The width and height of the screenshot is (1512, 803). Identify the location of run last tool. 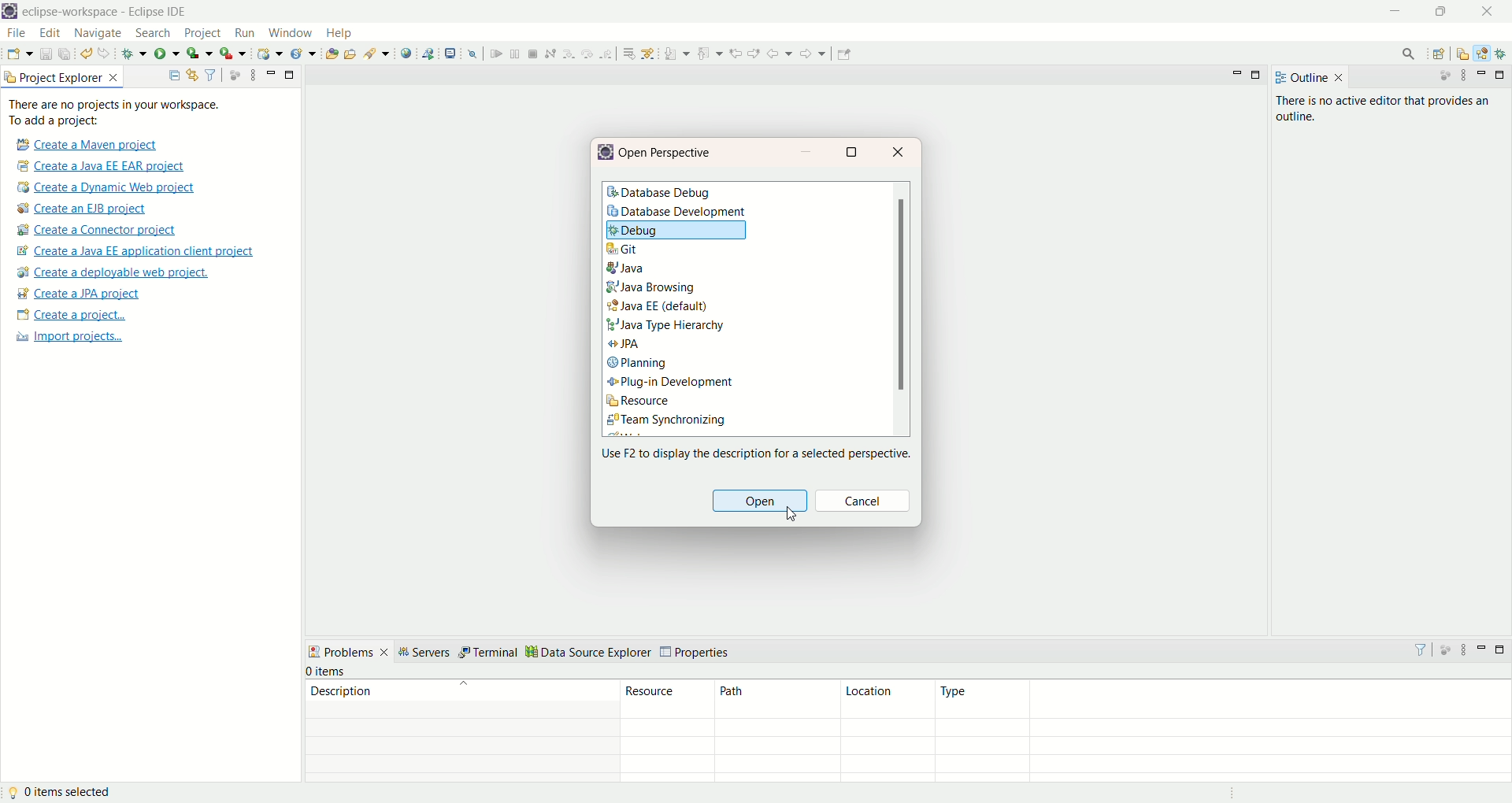
(231, 54).